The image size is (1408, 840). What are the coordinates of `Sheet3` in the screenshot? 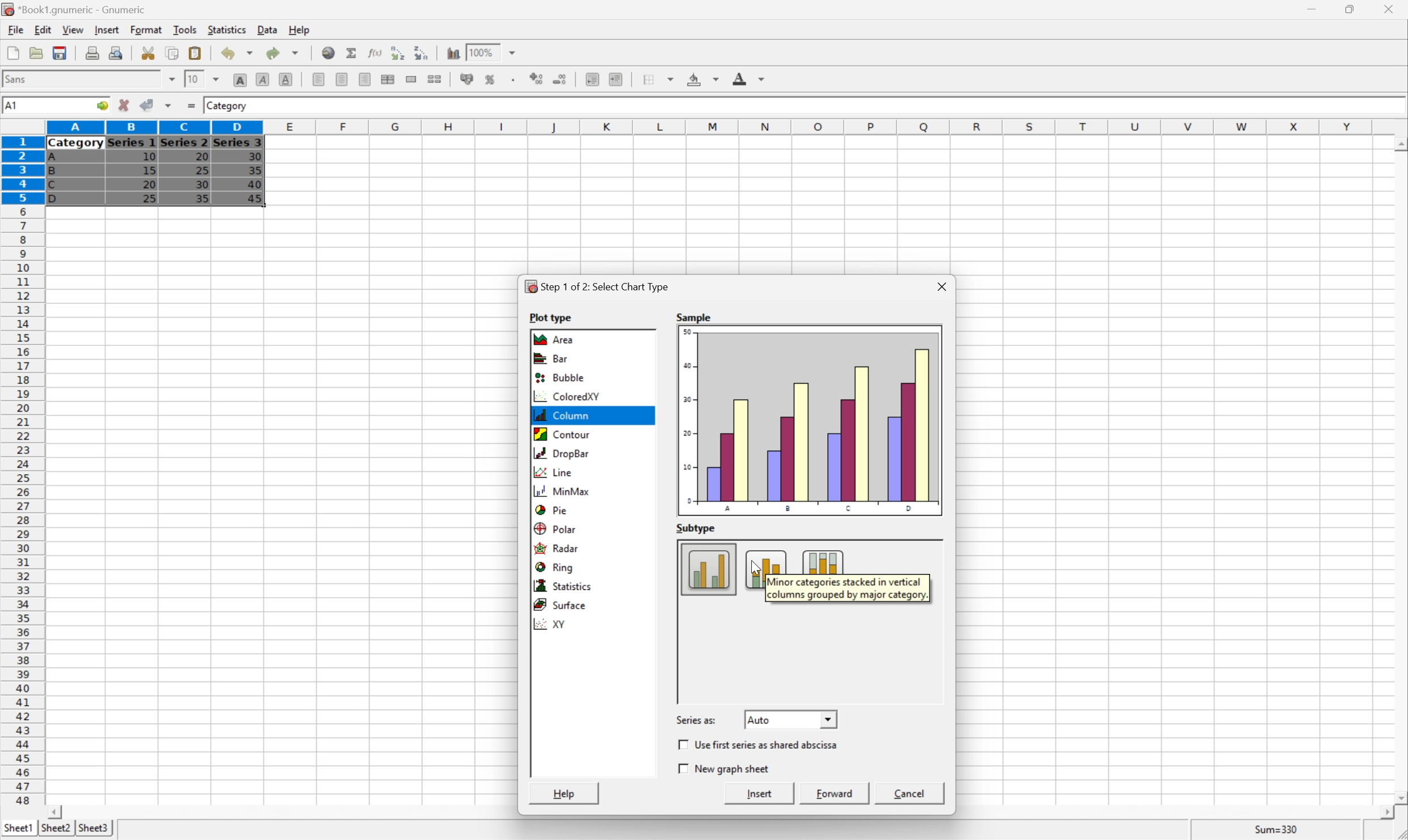 It's located at (95, 828).